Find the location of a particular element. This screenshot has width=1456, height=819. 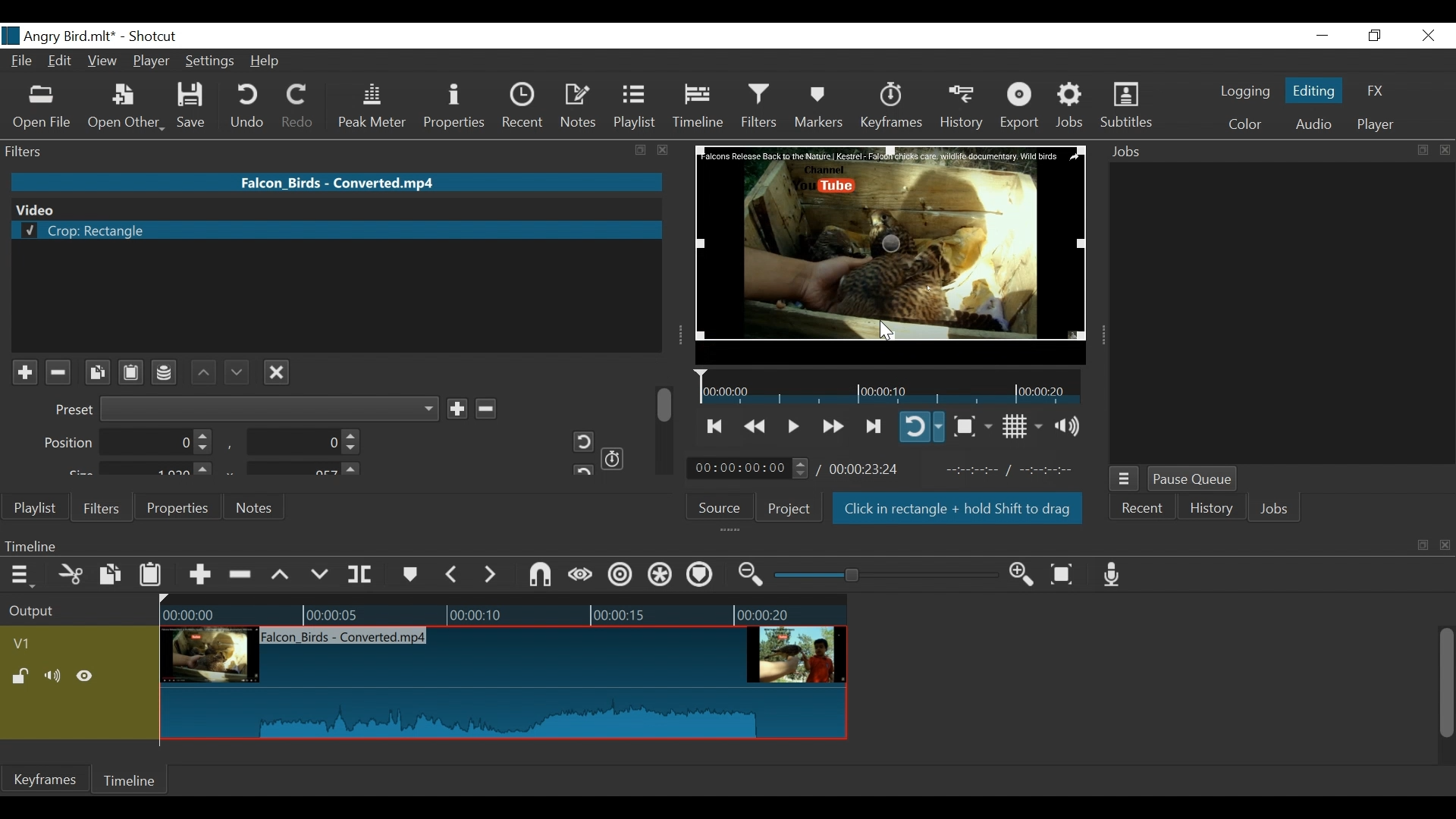

Add is located at coordinates (457, 408).